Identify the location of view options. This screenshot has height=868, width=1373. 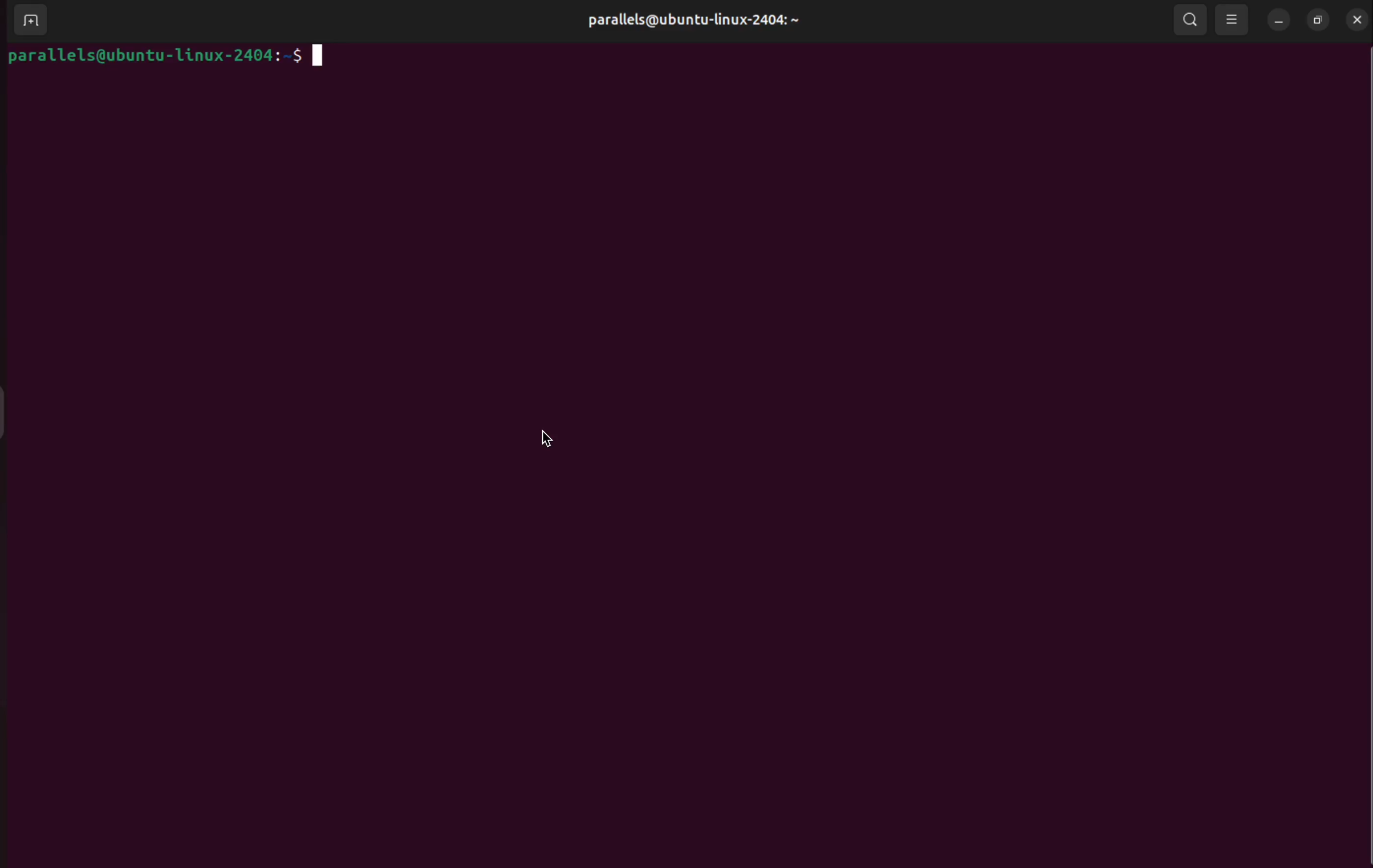
(1233, 22).